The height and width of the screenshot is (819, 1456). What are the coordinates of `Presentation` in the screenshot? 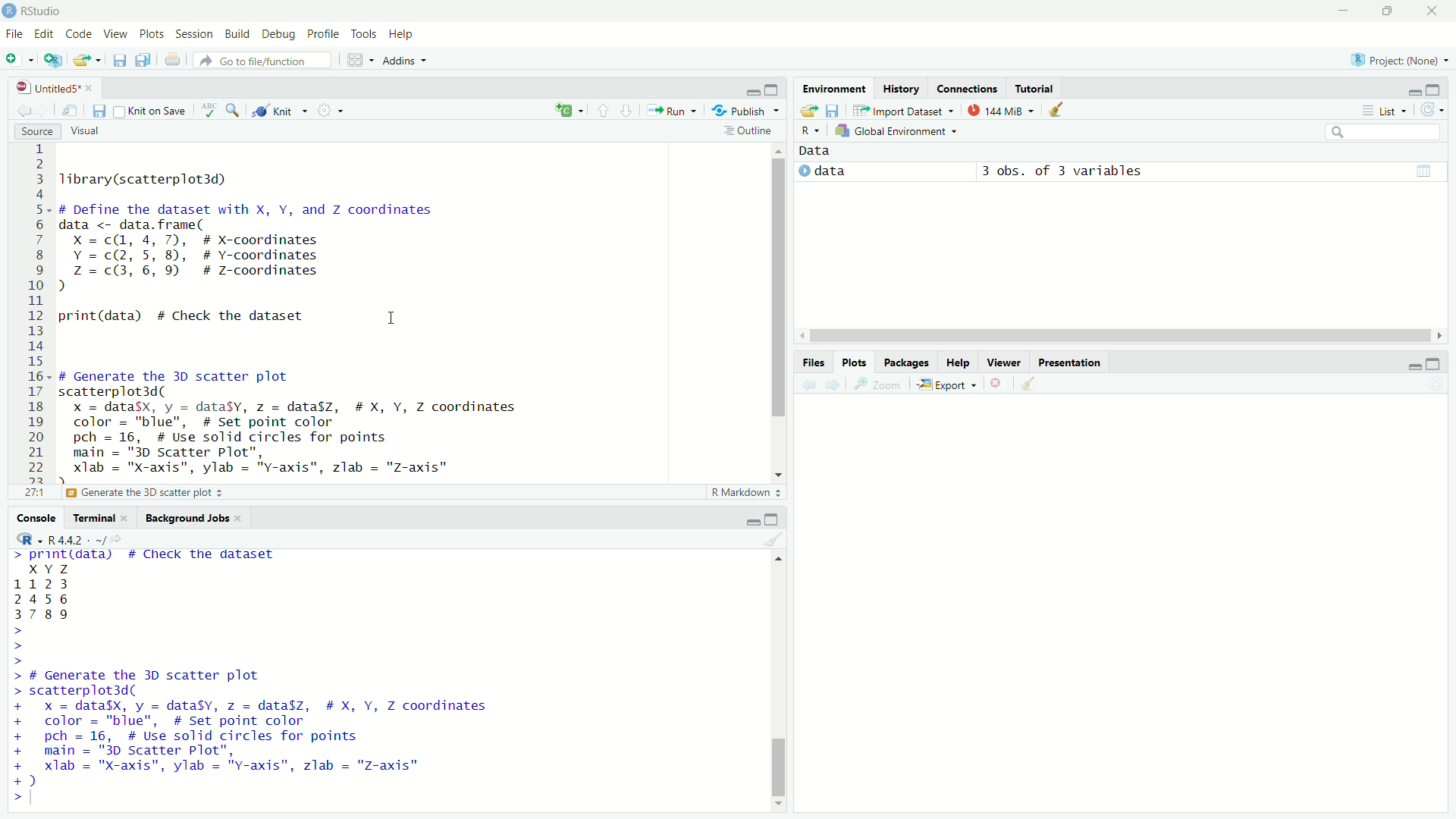 It's located at (1069, 361).